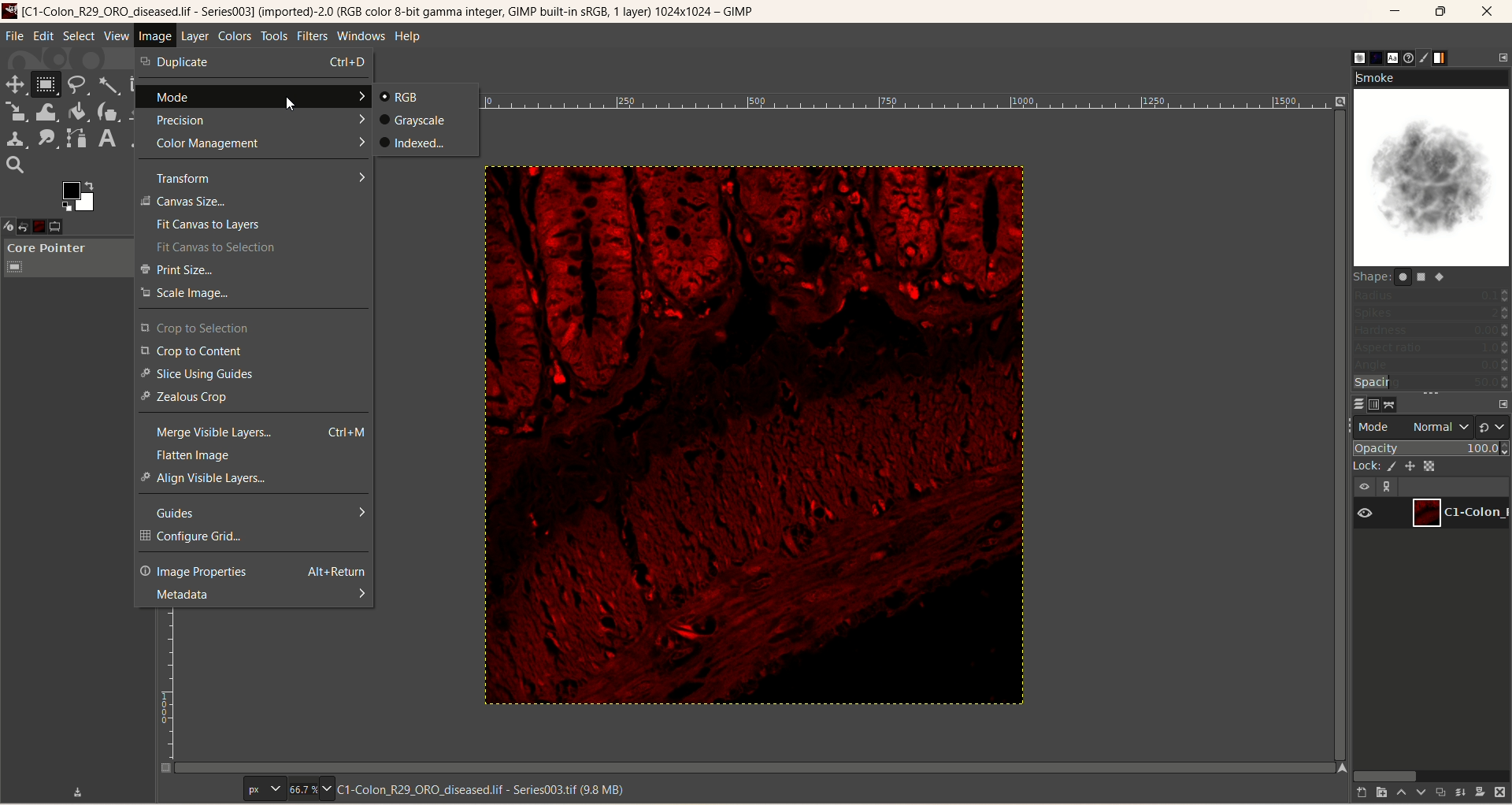 Image resolution: width=1512 pixels, height=805 pixels. What do you see at coordinates (1423, 57) in the screenshot?
I see `brush editor` at bounding box center [1423, 57].